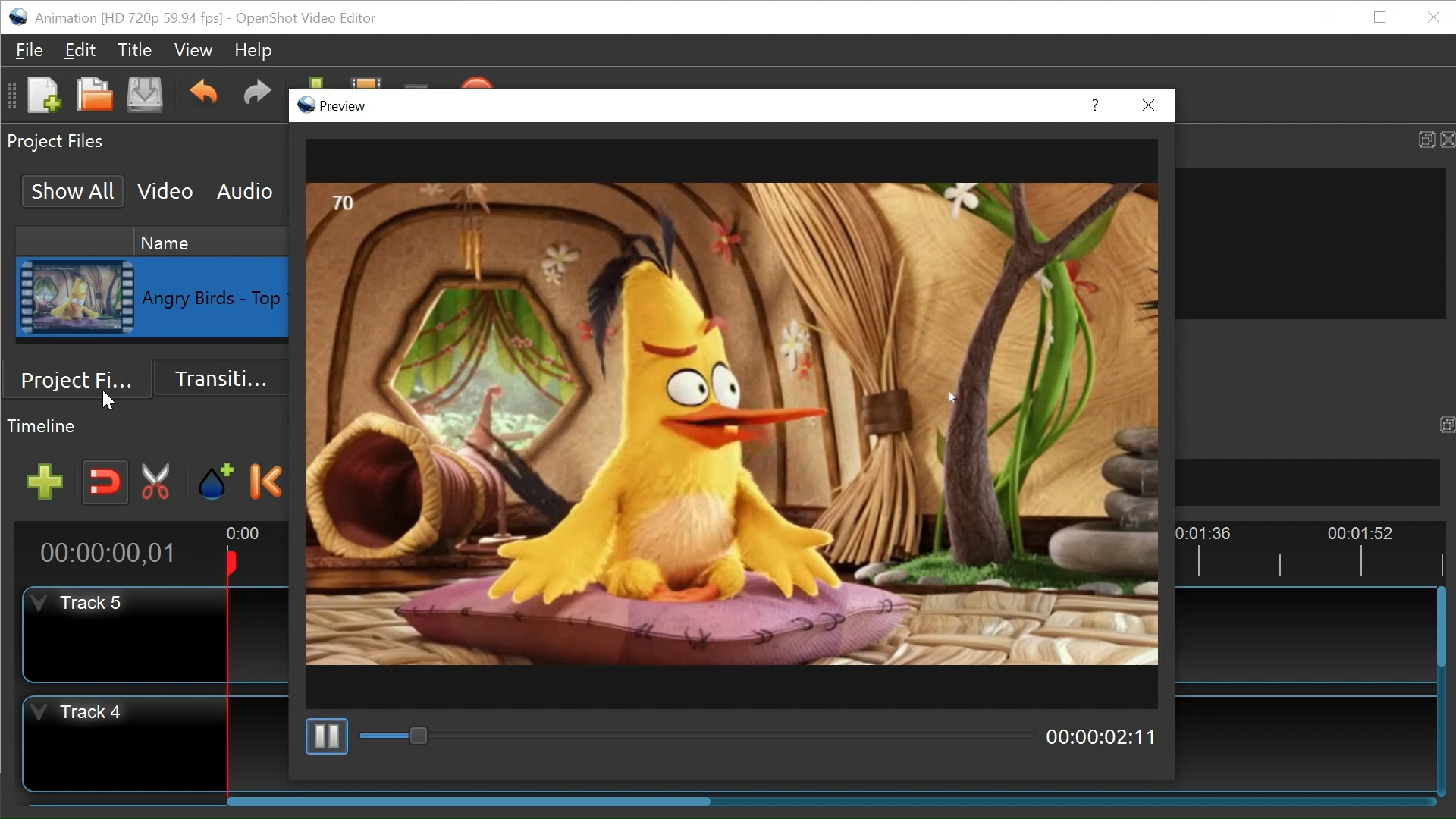 The height and width of the screenshot is (819, 1456). Describe the element at coordinates (147, 425) in the screenshot. I see `Timeline Panel` at that location.